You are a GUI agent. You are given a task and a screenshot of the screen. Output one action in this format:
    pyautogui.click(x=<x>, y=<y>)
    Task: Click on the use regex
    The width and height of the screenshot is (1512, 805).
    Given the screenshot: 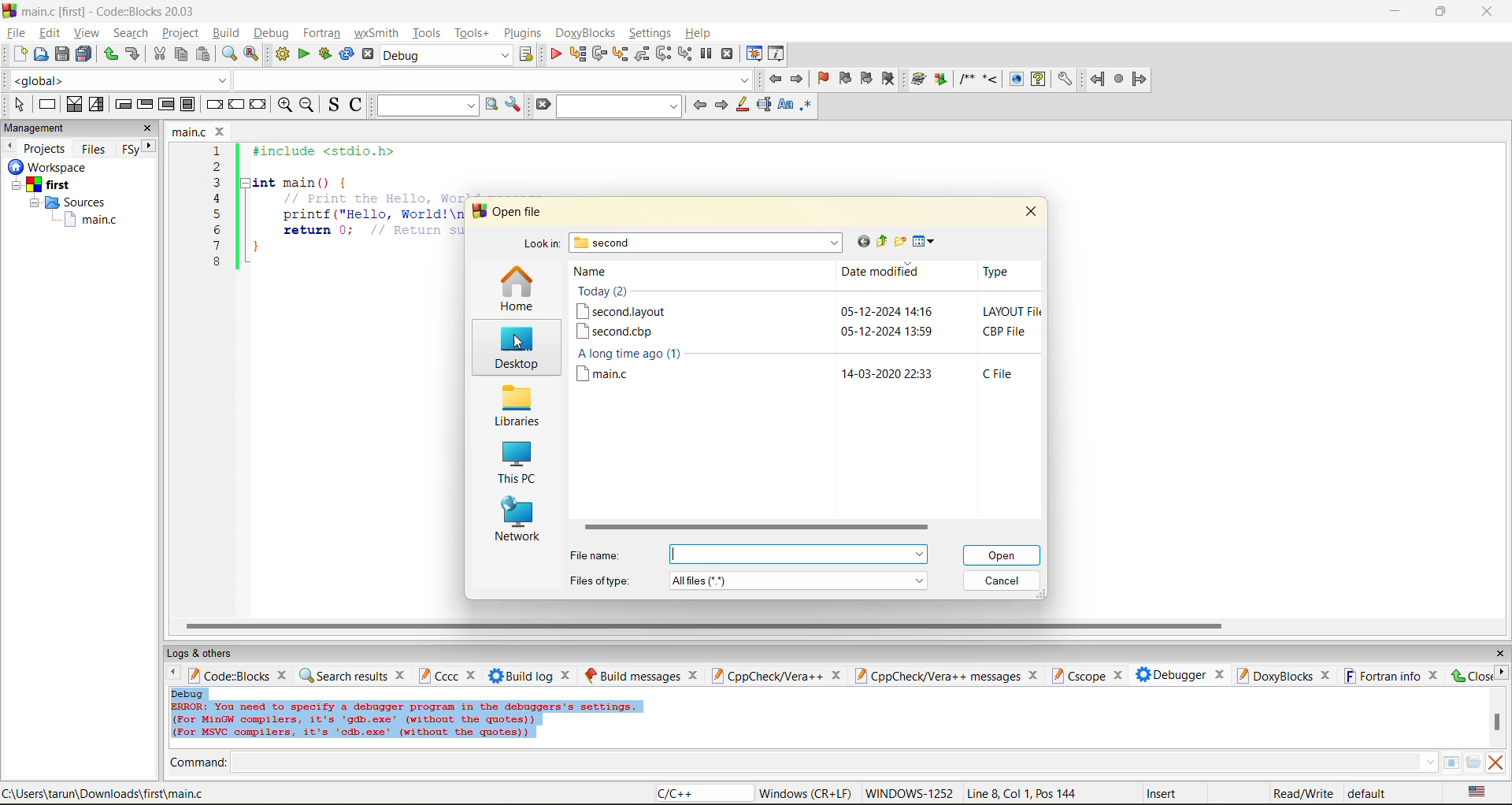 What is the action you would take?
    pyautogui.click(x=806, y=108)
    